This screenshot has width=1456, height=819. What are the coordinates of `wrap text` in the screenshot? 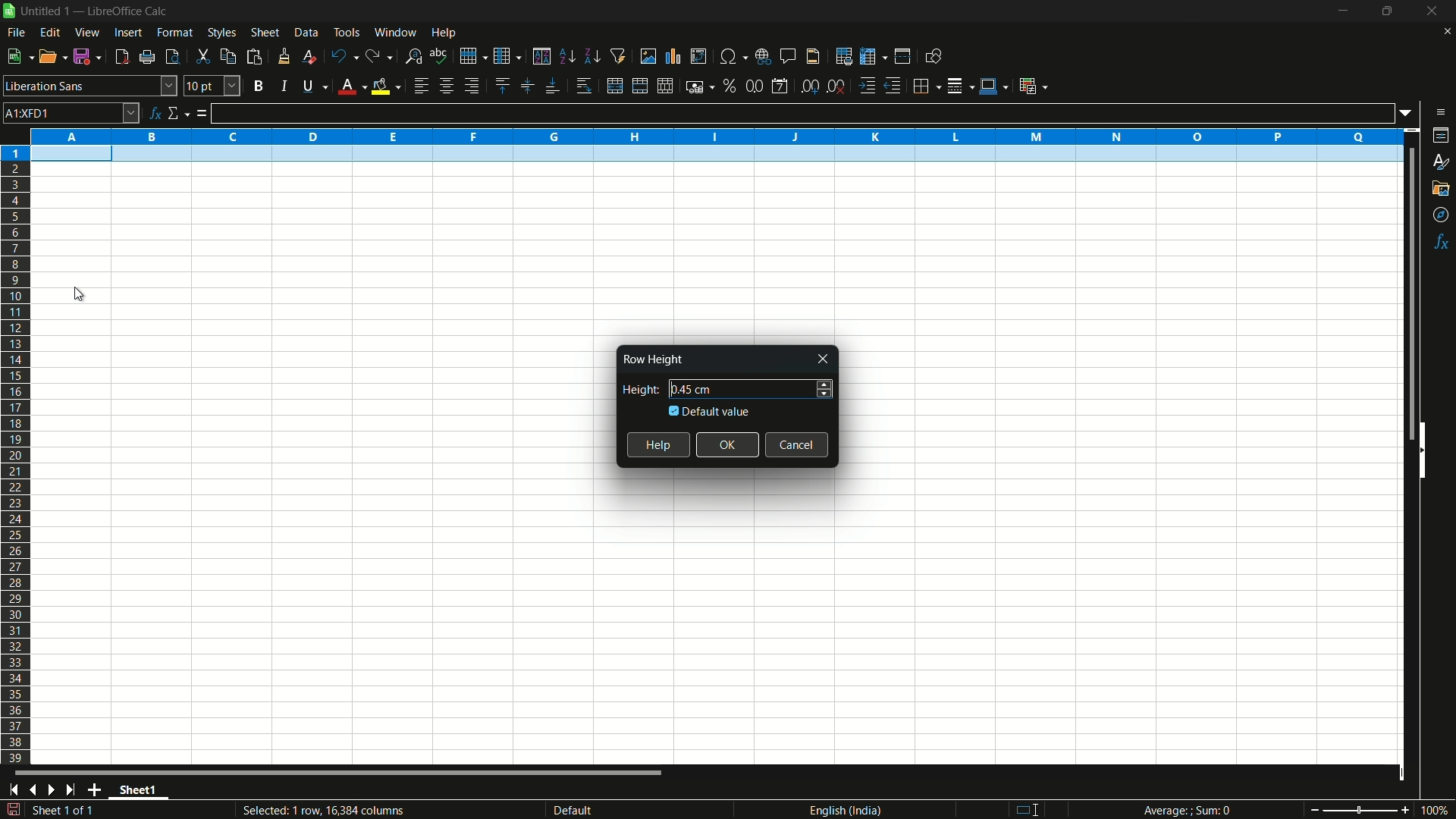 It's located at (587, 86).